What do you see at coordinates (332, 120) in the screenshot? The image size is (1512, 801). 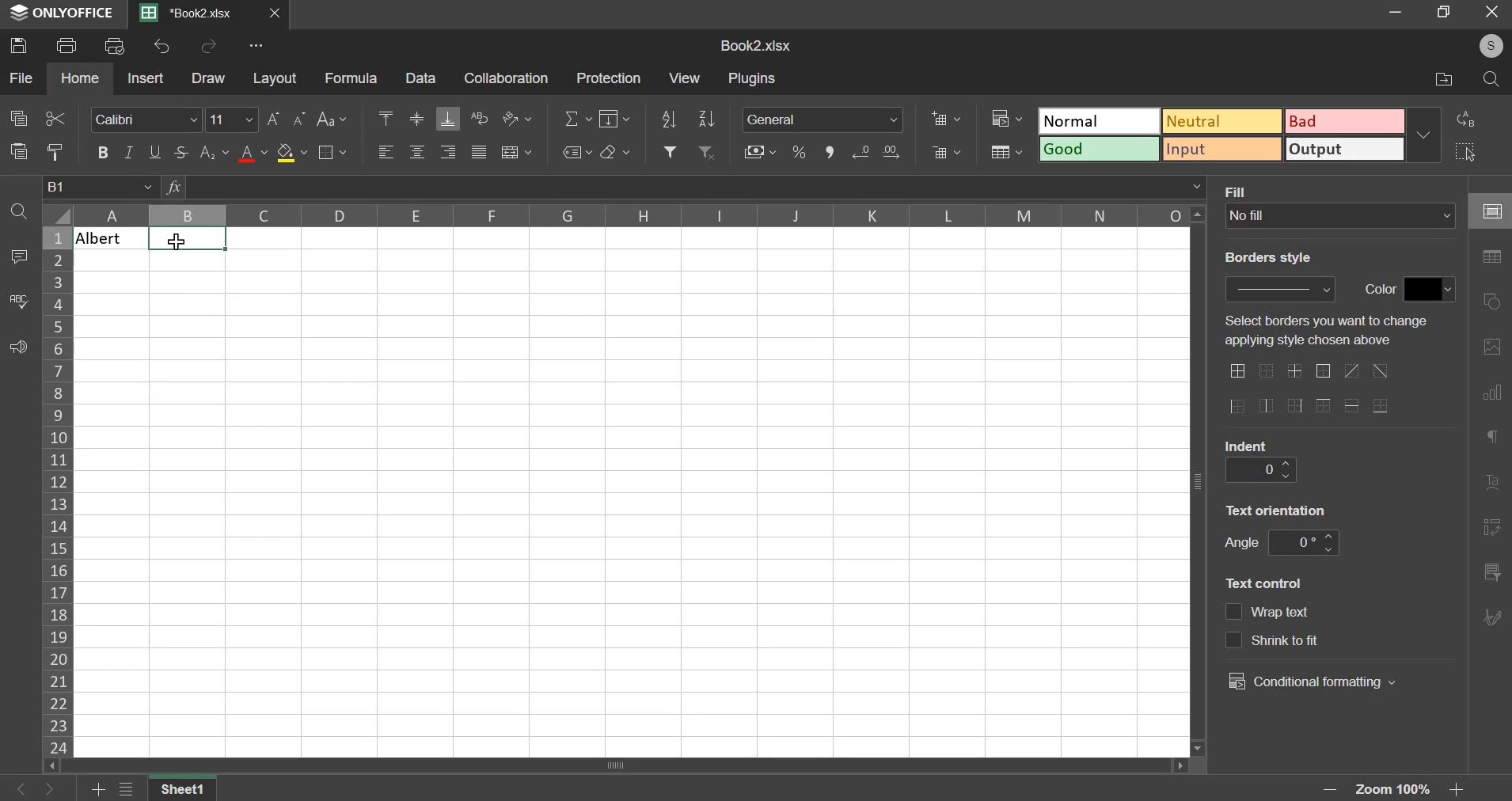 I see `change case` at bounding box center [332, 120].